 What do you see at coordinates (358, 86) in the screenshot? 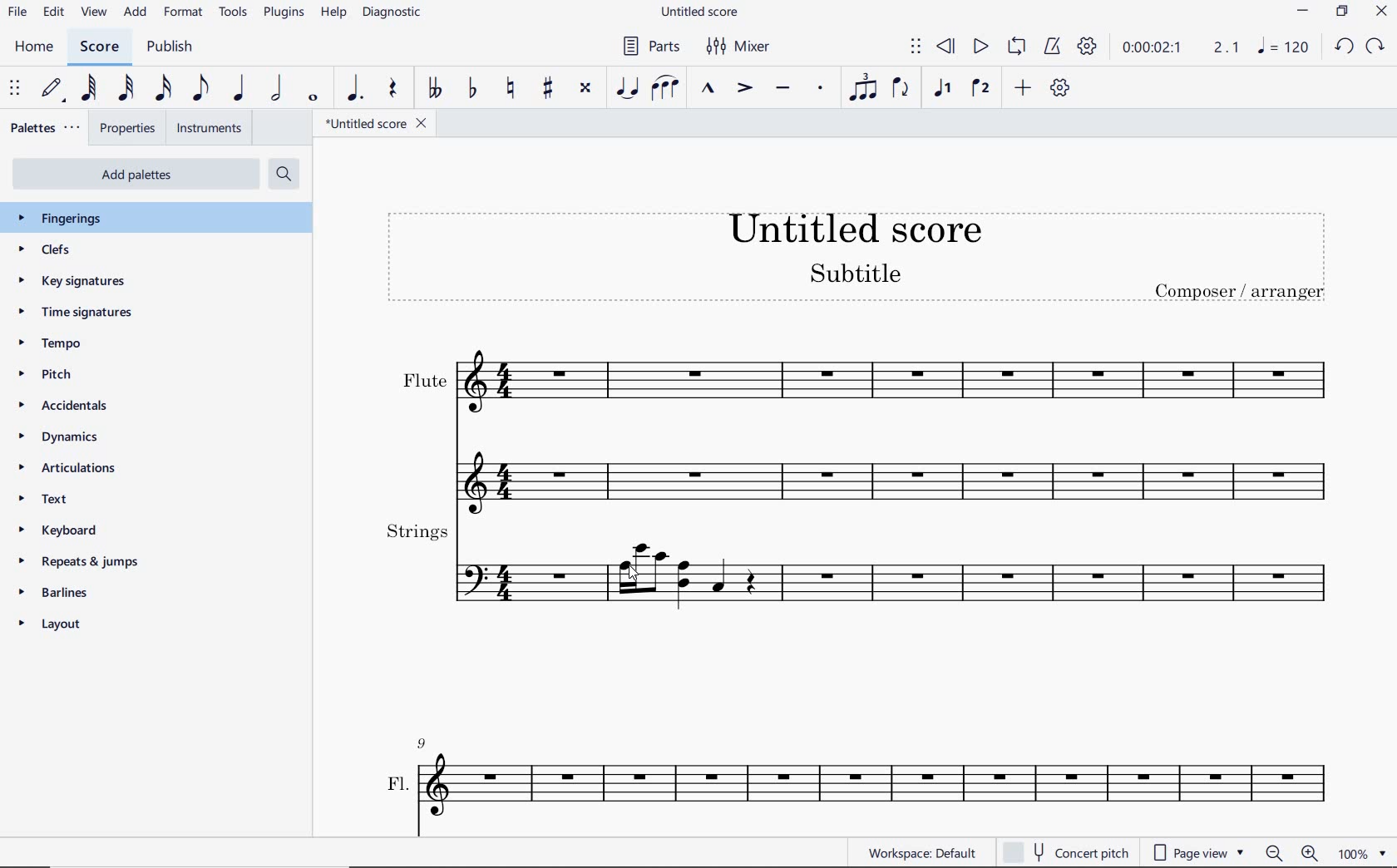
I see `augmentation dot` at bounding box center [358, 86].